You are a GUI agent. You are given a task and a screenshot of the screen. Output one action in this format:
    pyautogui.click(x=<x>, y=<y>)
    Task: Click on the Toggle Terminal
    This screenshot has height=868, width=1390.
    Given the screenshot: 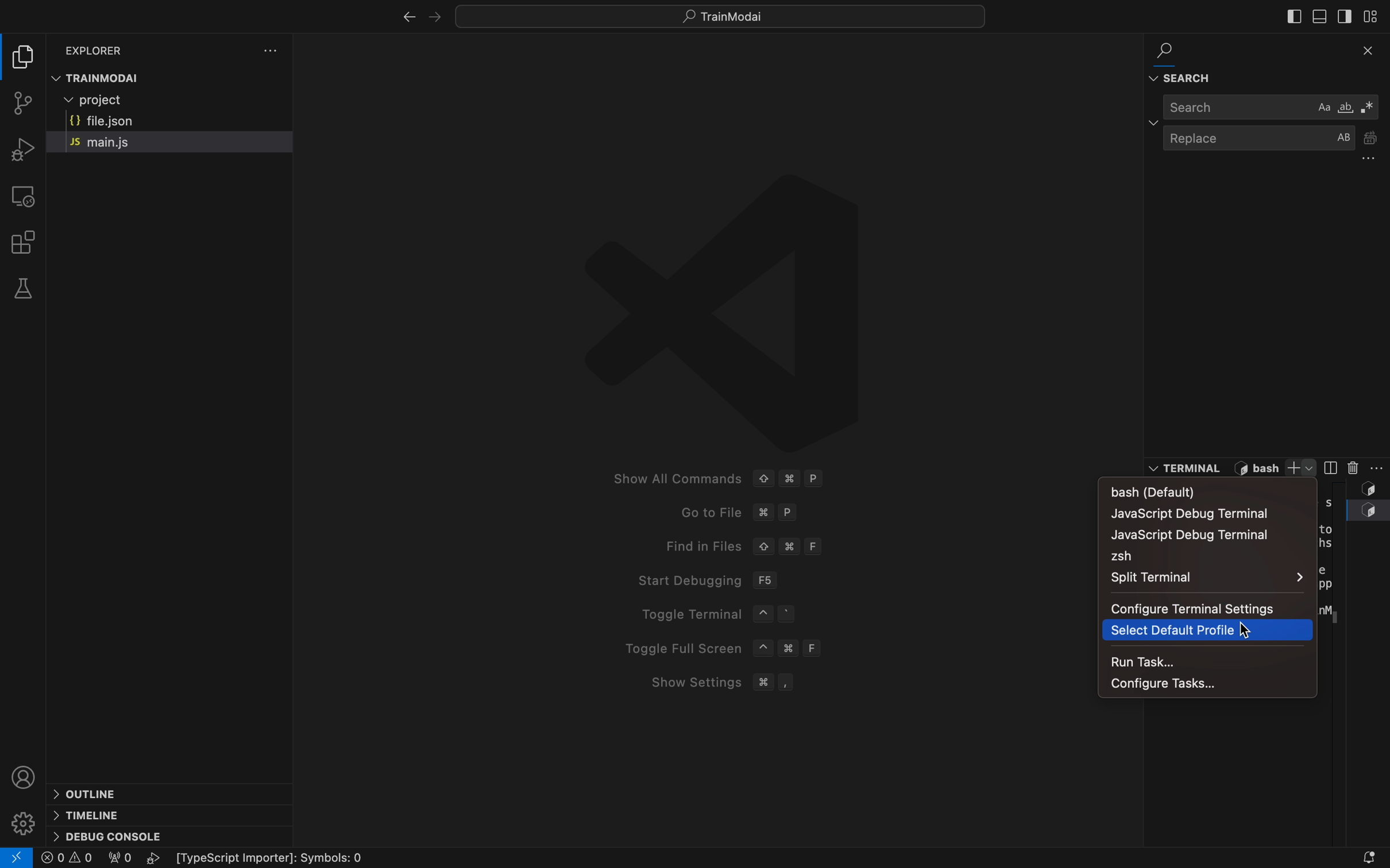 What is the action you would take?
    pyautogui.click(x=712, y=615)
    